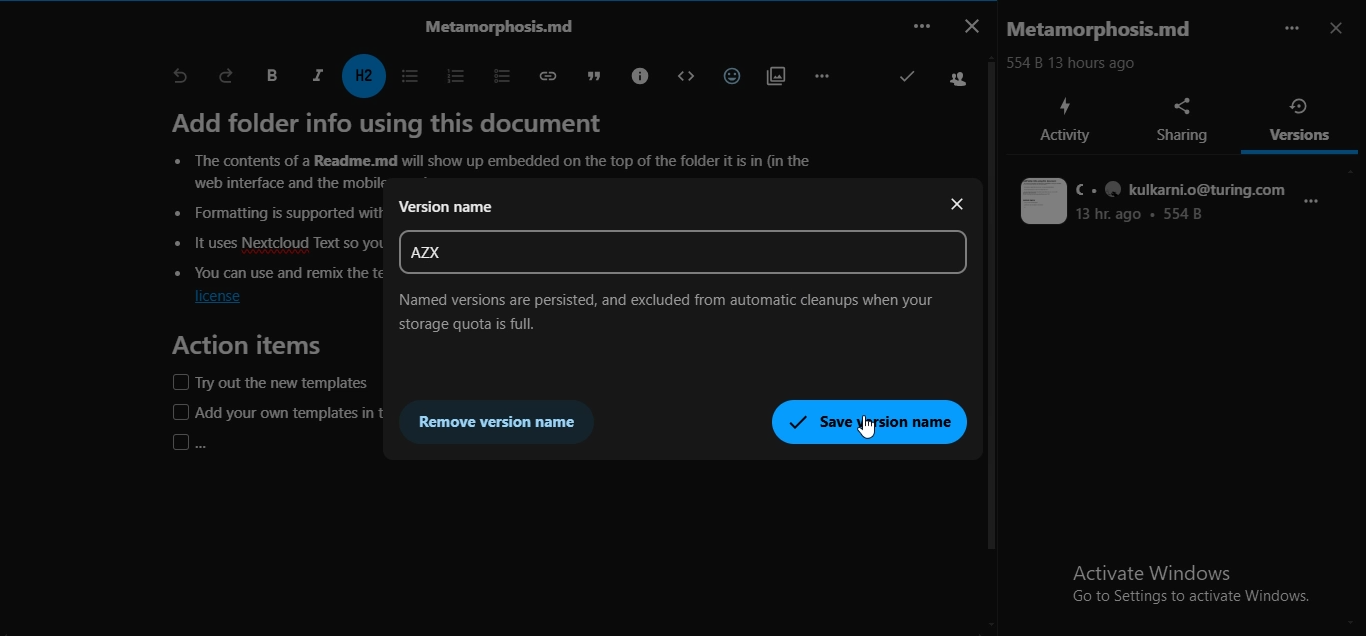 The image size is (1366, 636). I want to click on more options, so click(1291, 28).